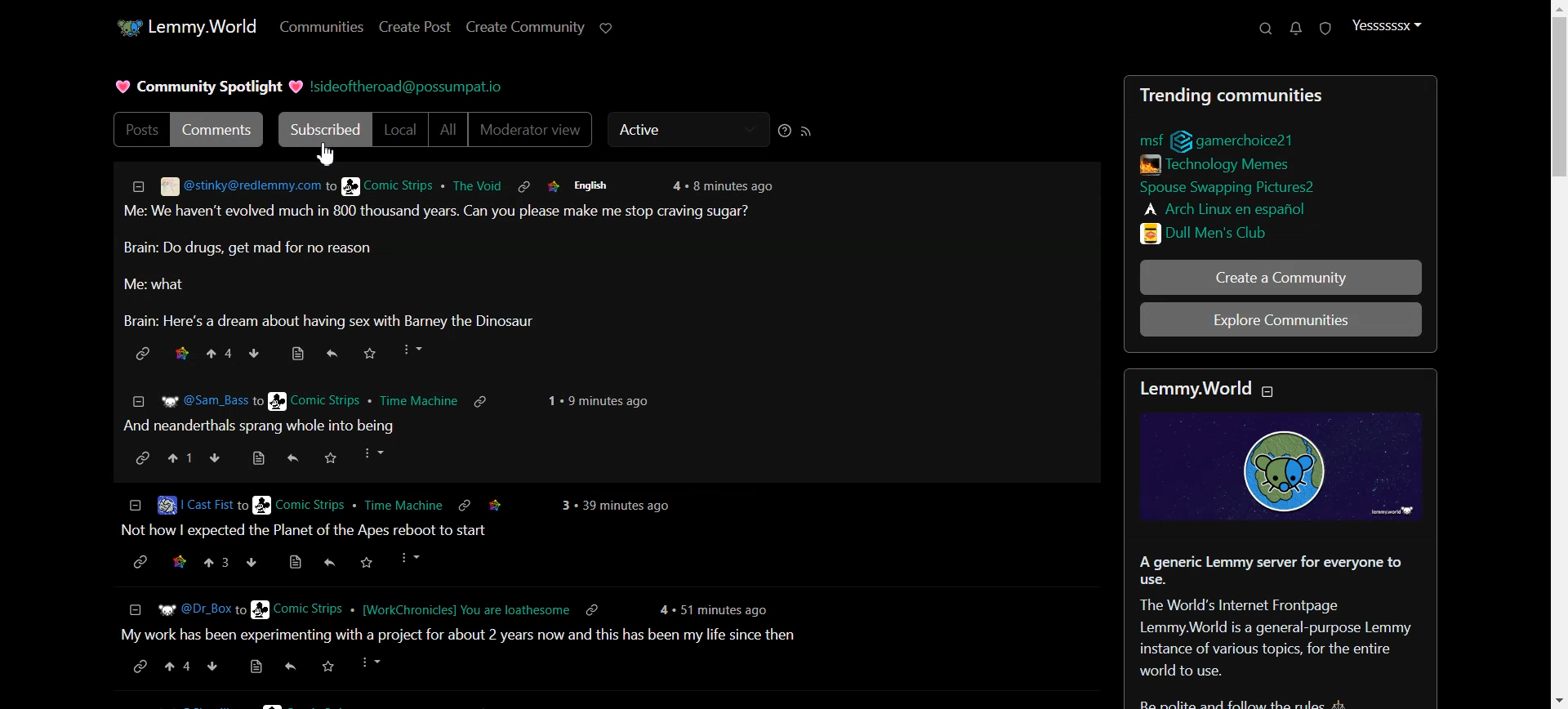  Describe the element at coordinates (1226, 185) in the screenshot. I see `LInks` at that location.